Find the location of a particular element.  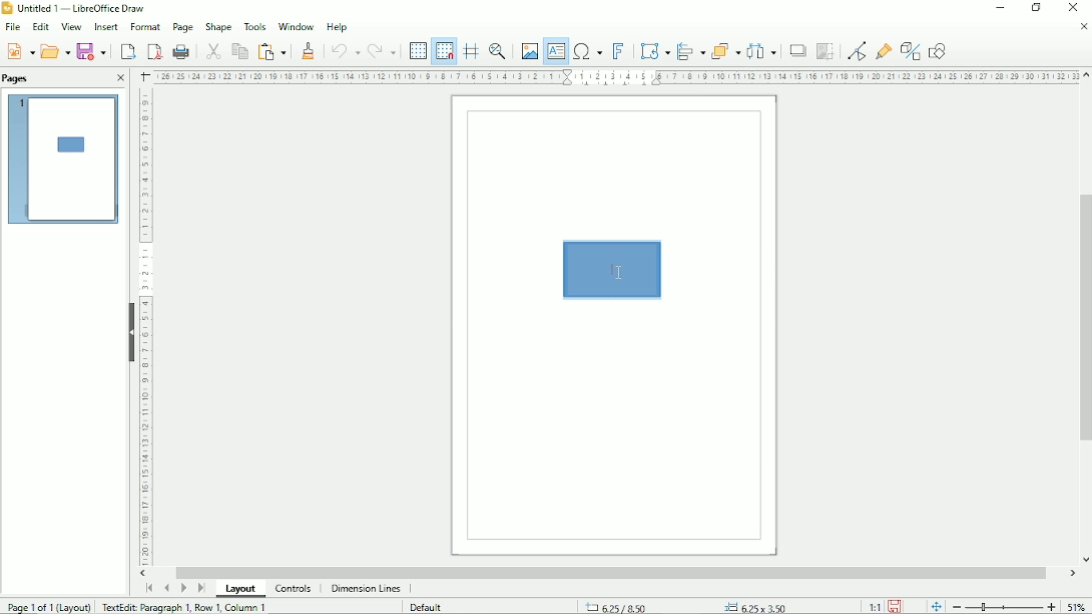

Clone formatting is located at coordinates (310, 50).